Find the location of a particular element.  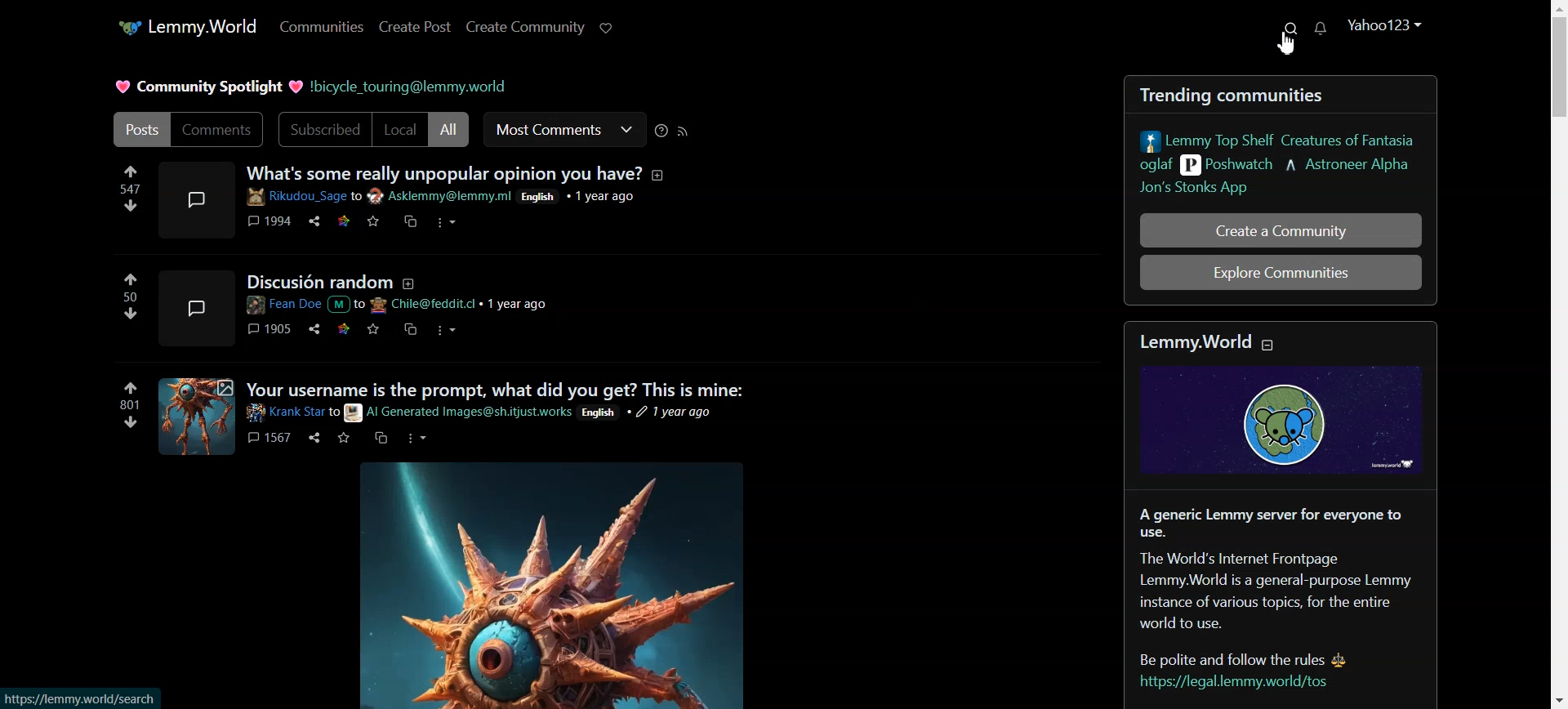

 Fean Doe (Mm) to W Chile@feddit.cl = 1 year ago is located at coordinates (401, 305).